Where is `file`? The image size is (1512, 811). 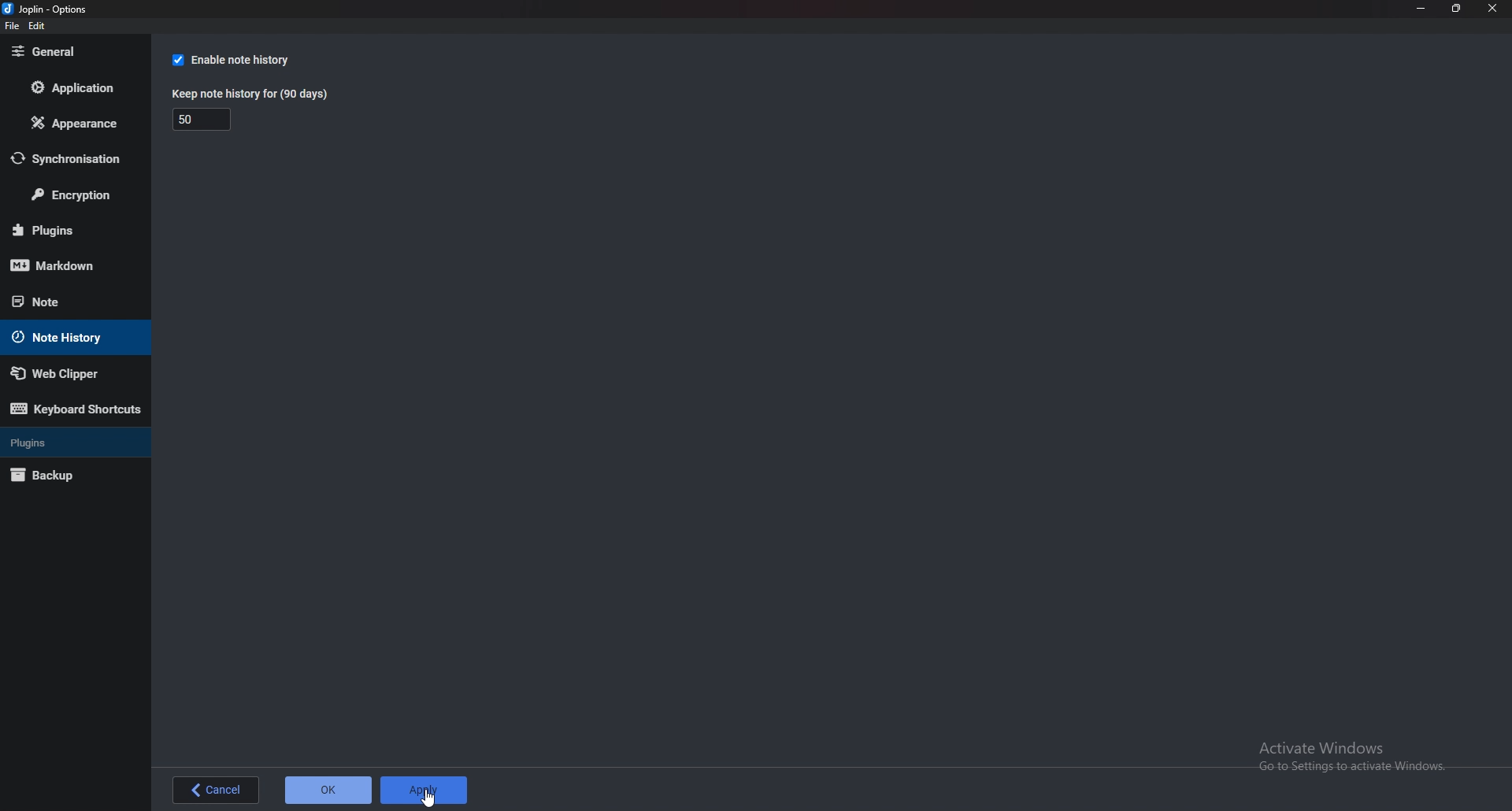
file is located at coordinates (12, 26).